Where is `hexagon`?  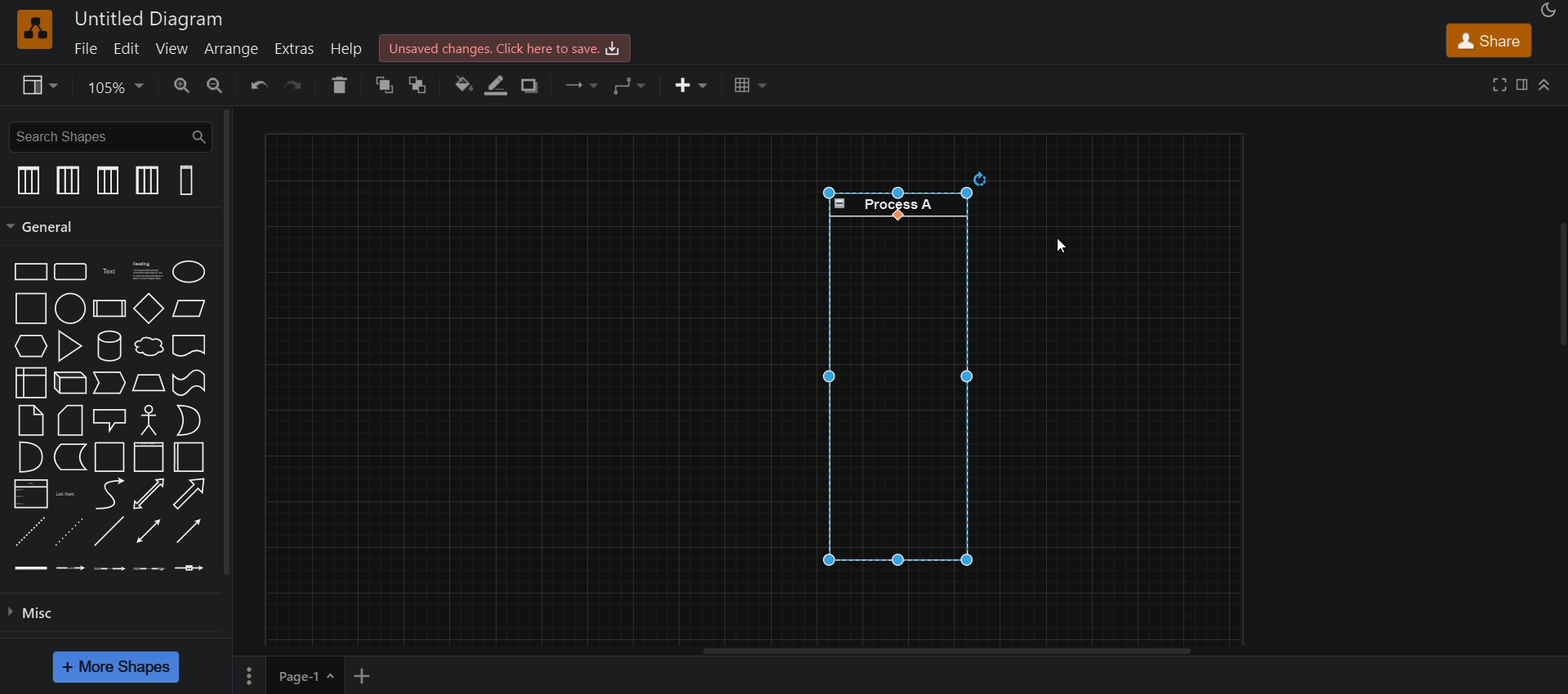
hexagon is located at coordinates (32, 348).